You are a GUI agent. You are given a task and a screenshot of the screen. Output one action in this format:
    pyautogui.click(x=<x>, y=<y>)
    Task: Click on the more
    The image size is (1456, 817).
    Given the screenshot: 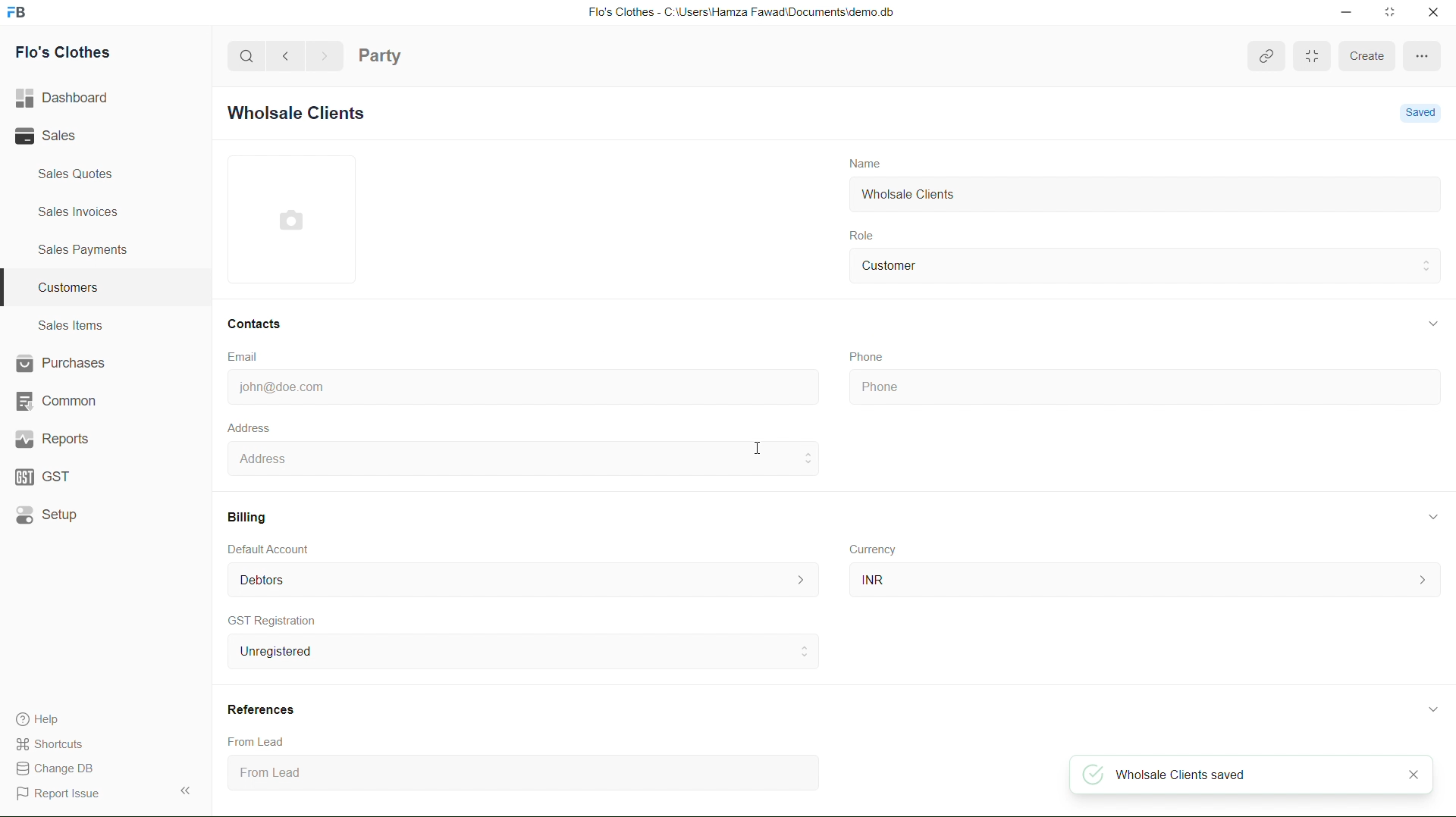 What is the action you would take?
    pyautogui.click(x=1420, y=56)
    